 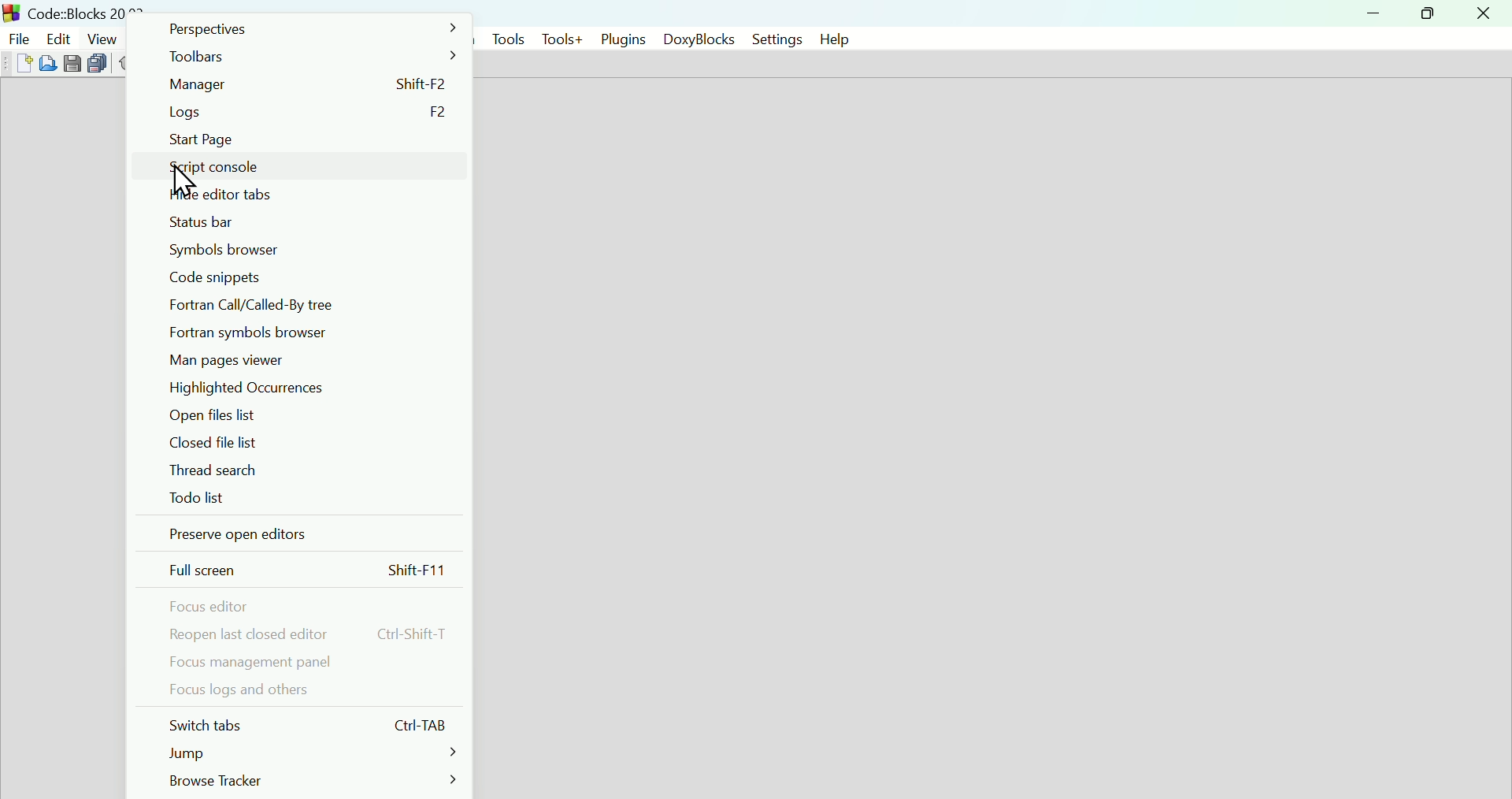 What do you see at coordinates (306, 690) in the screenshot?
I see `Focus logs and others` at bounding box center [306, 690].